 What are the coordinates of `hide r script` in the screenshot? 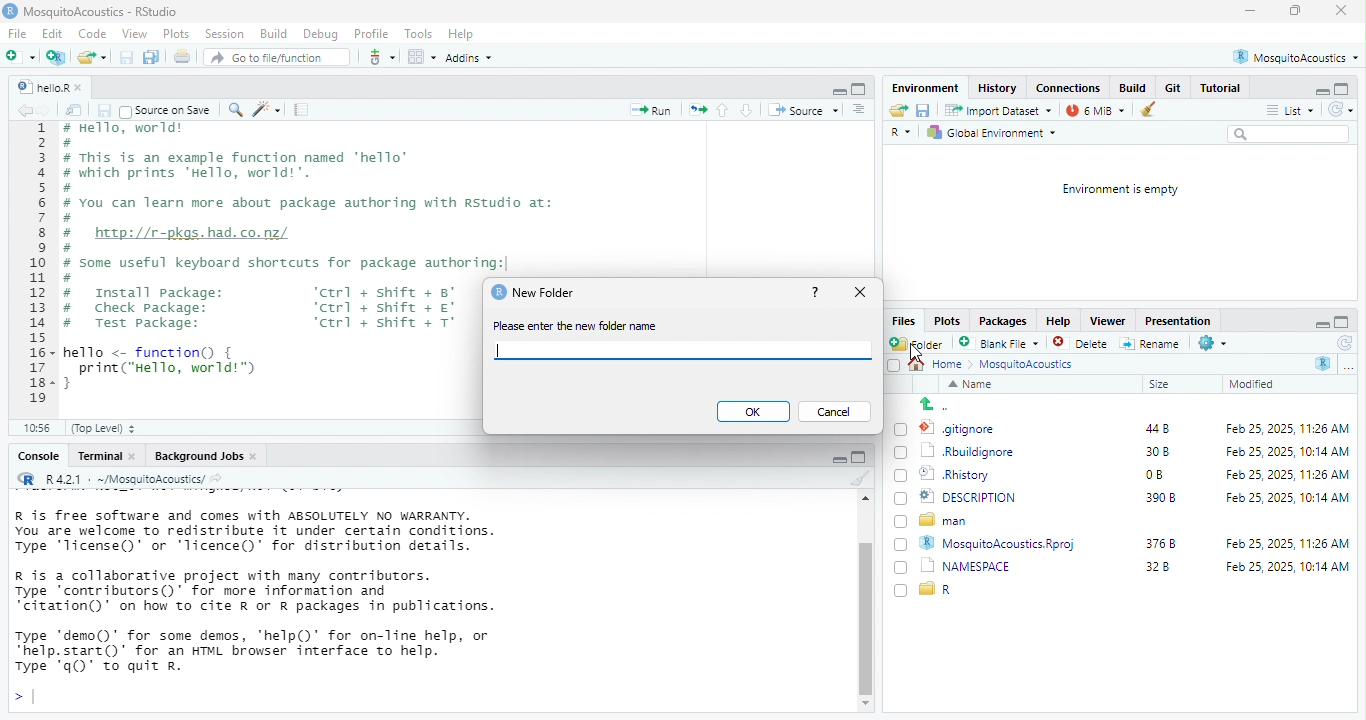 It's located at (831, 459).